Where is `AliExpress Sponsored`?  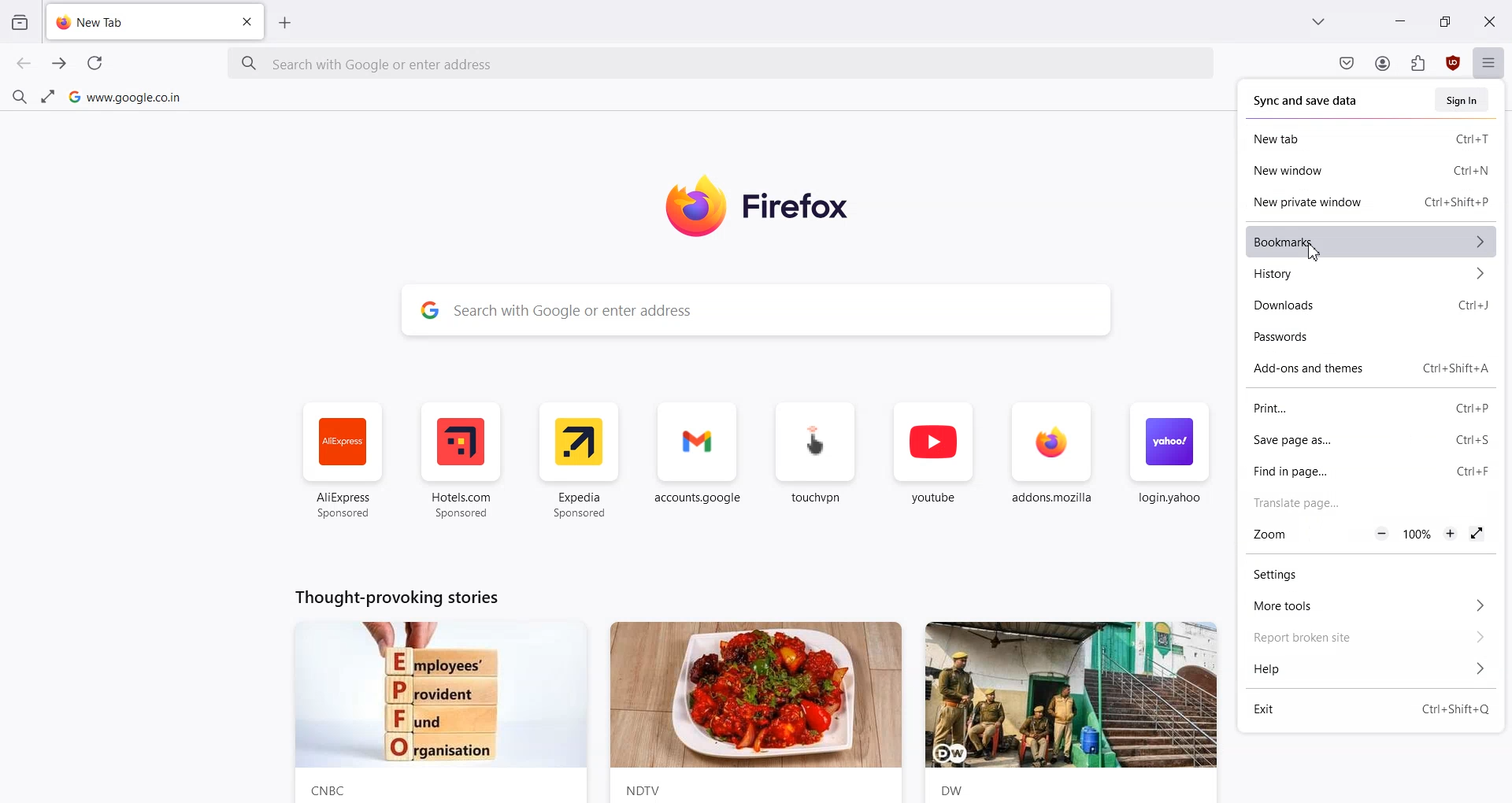
AliExpress Sponsored is located at coordinates (343, 461).